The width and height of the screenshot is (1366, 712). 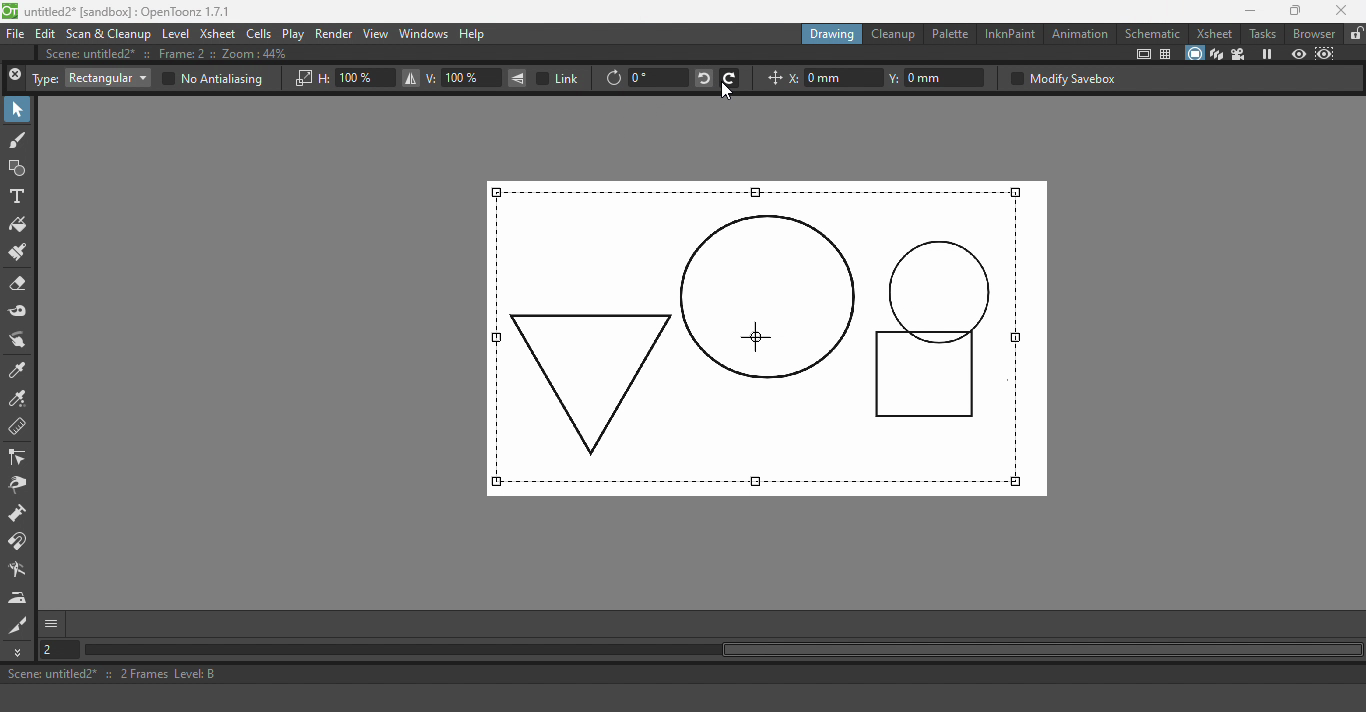 I want to click on Style picker tool, so click(x=20, y=370).